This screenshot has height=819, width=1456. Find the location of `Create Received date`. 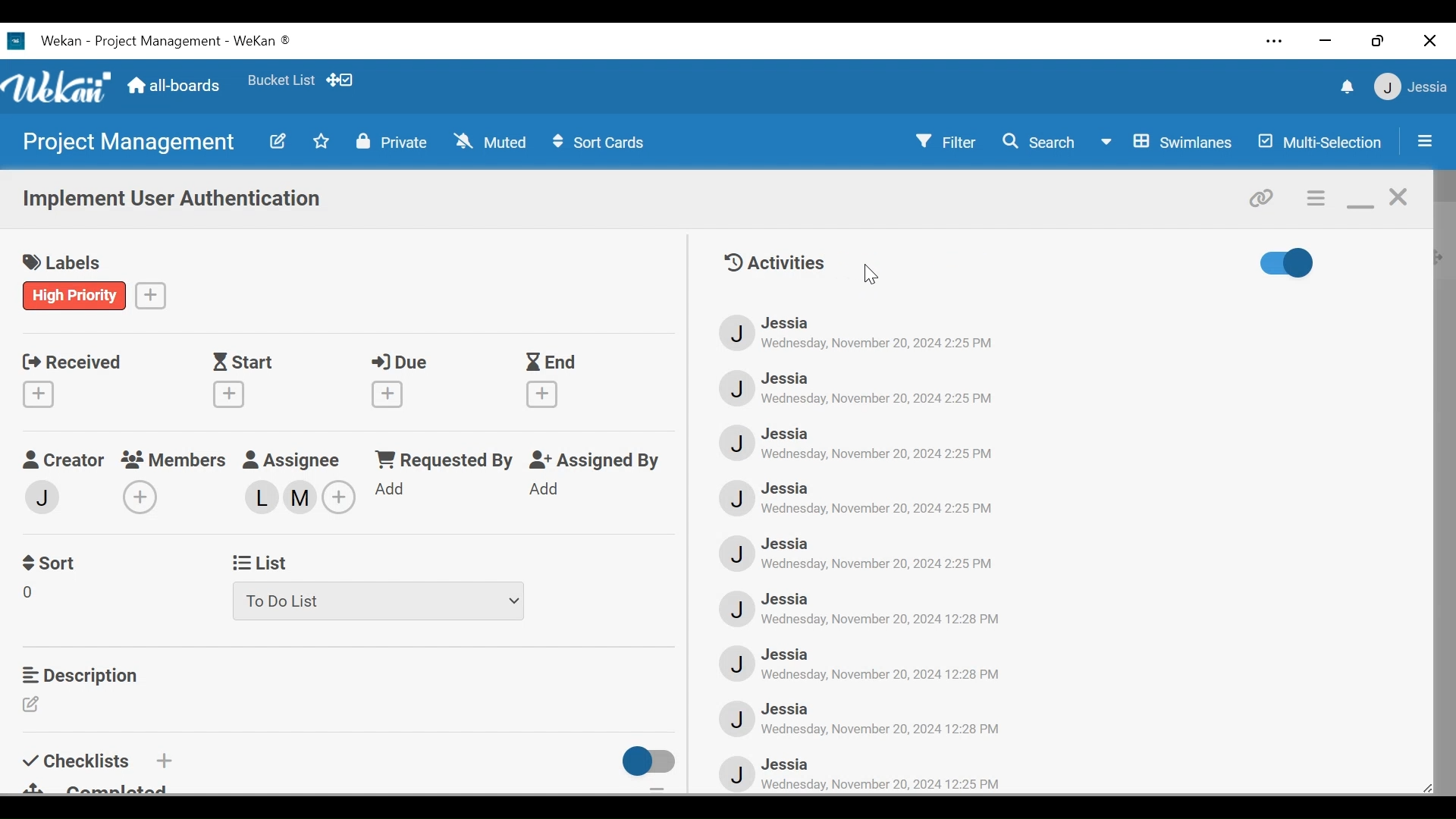

Create Received date is located at coordinates (39, 393).